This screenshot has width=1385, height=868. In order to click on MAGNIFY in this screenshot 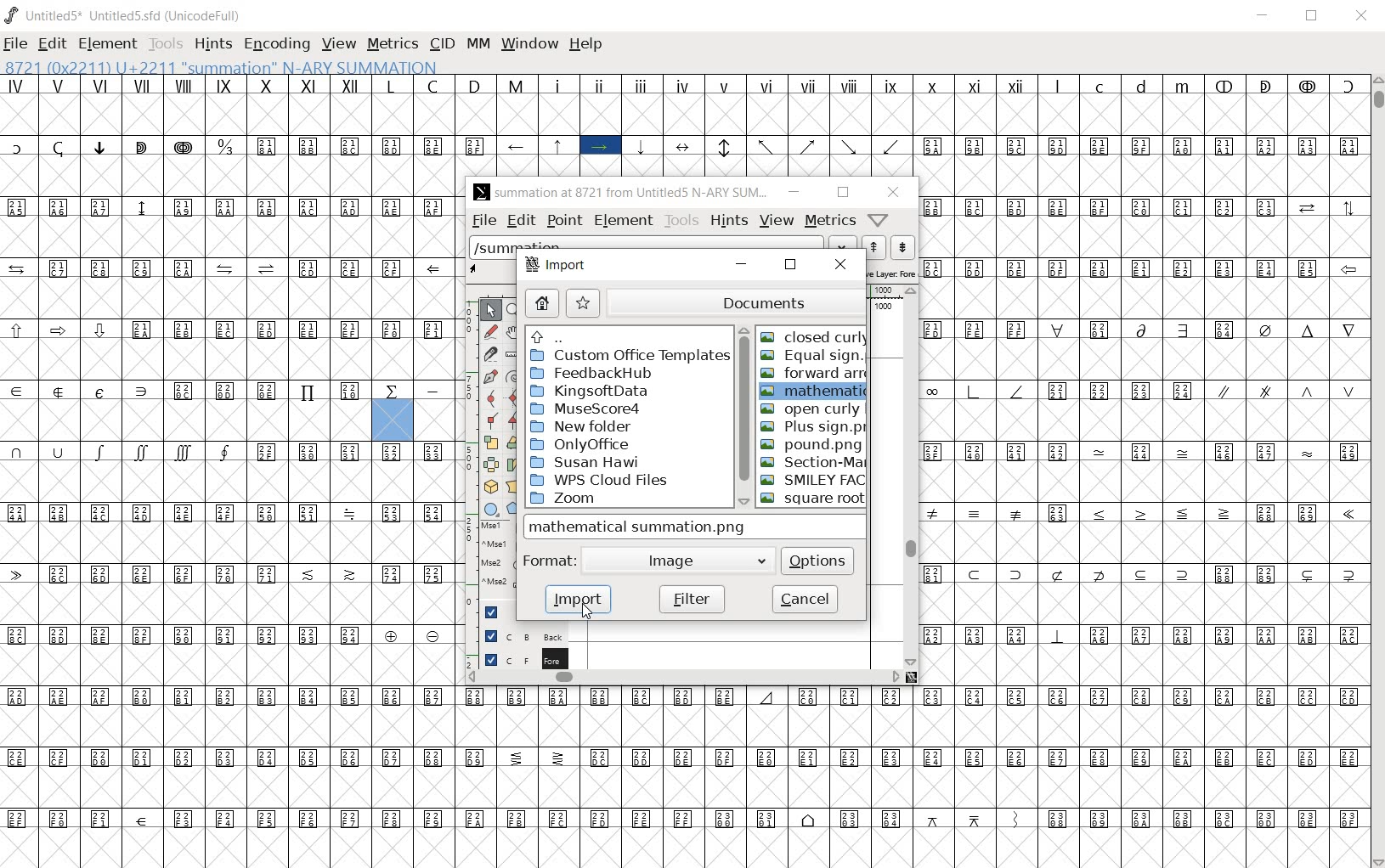, I will do `click(515, 310)`.